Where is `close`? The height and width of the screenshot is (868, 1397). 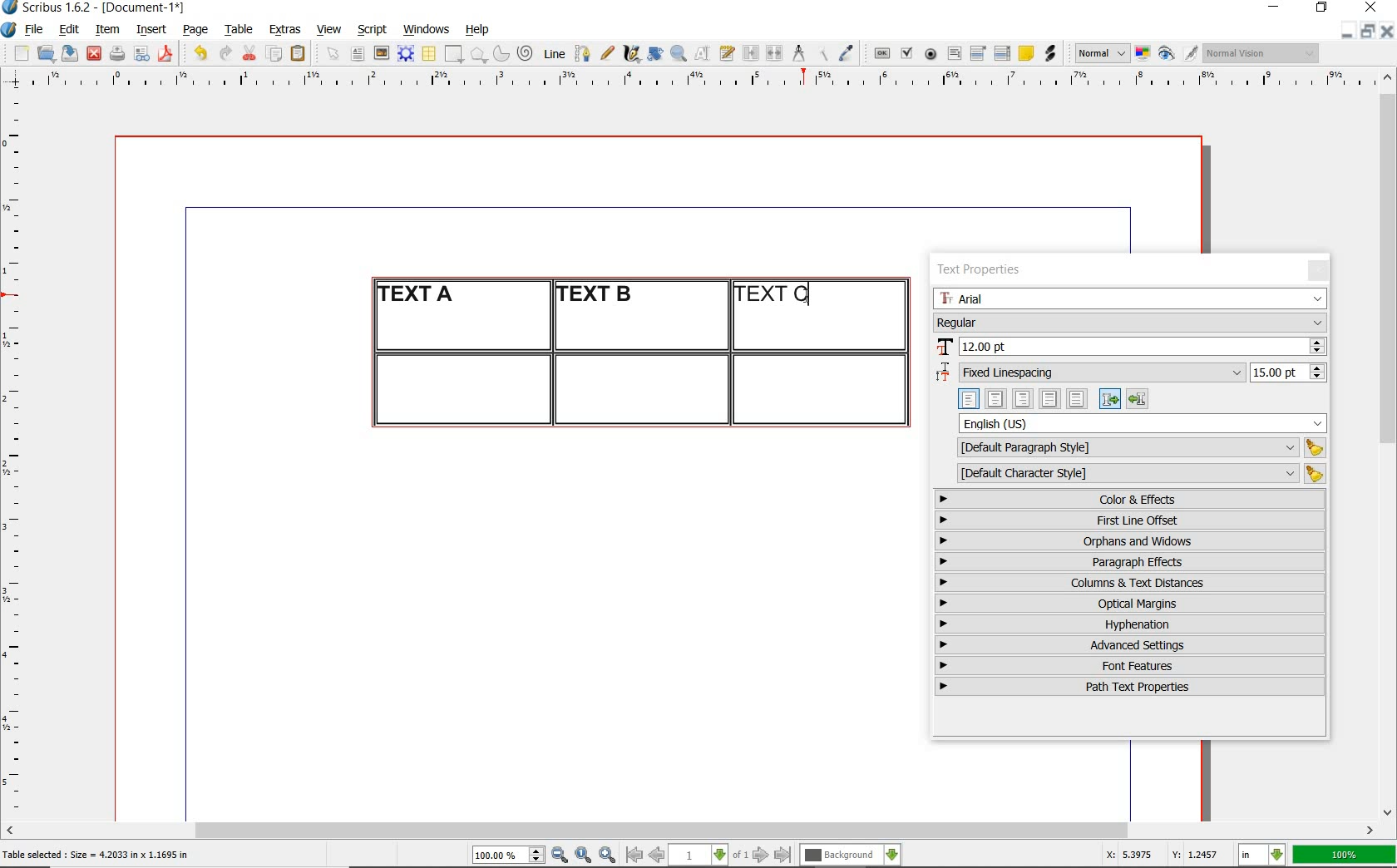
close is located at coordinates (1387, 31).